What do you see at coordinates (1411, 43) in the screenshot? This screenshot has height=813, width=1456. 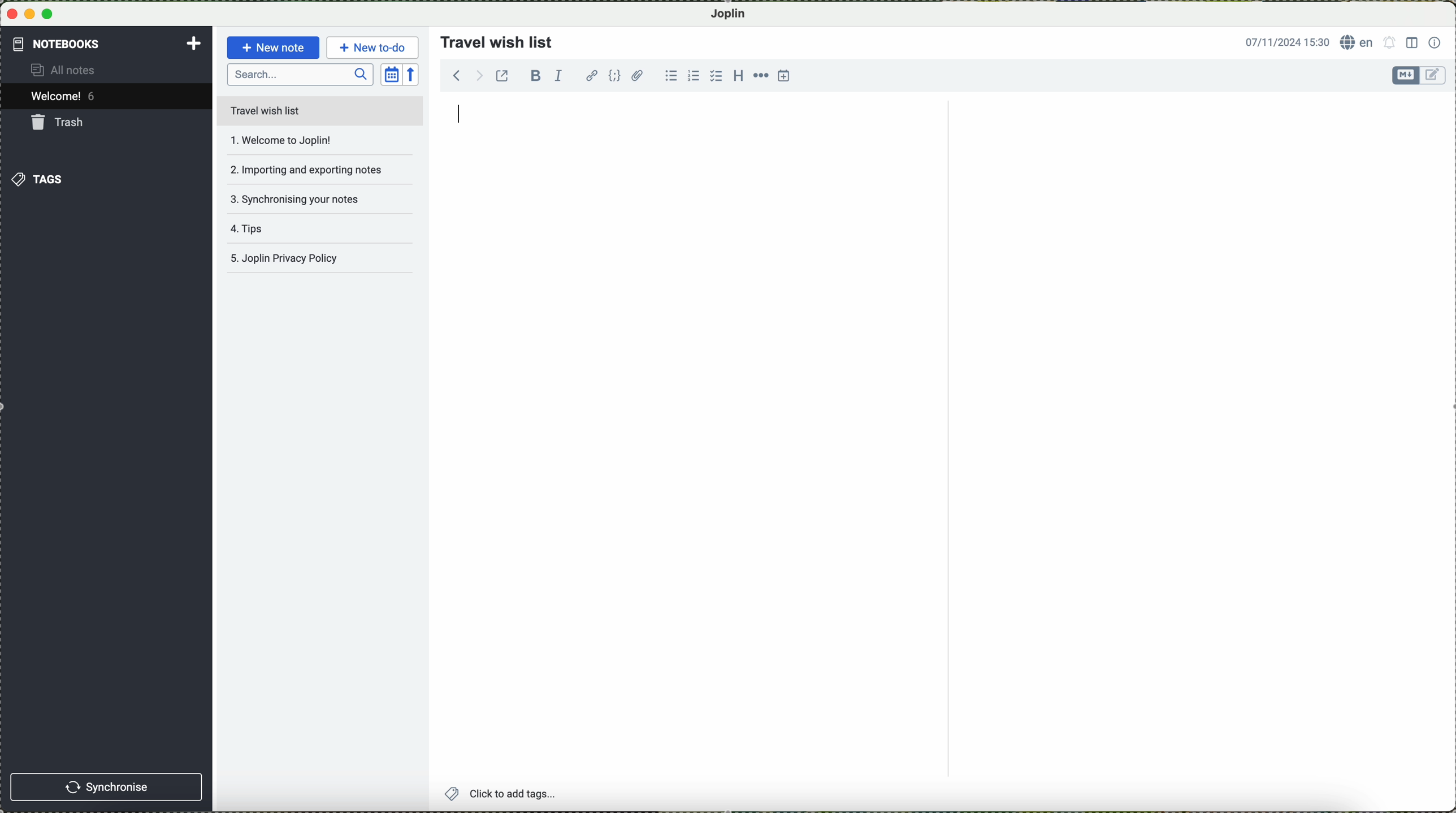 I see `toggle editor layout` at bounding box center [1411, 43].